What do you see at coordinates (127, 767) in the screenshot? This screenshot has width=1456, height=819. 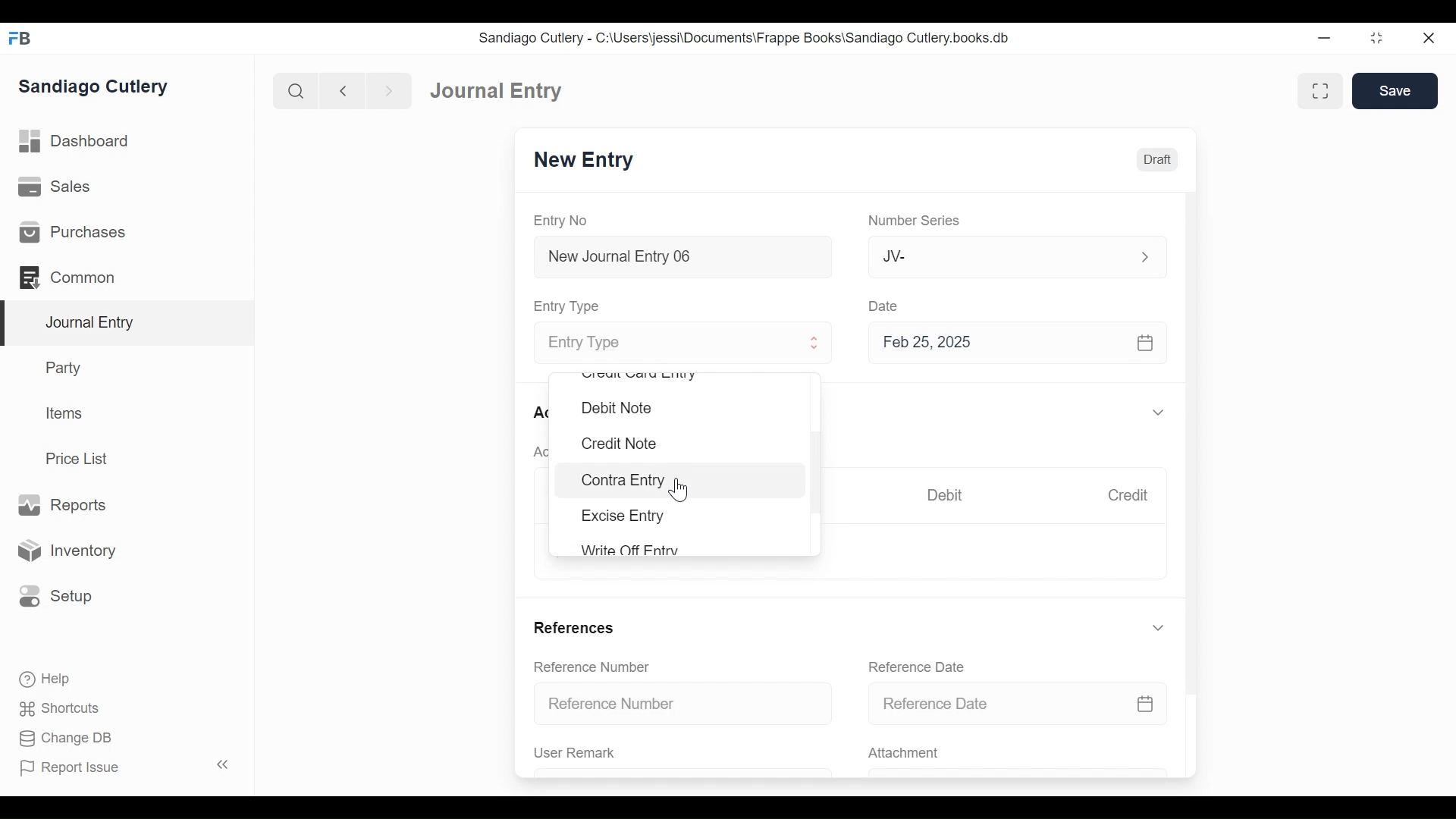 I see `Report Issue` at bounding box center [127, 767].